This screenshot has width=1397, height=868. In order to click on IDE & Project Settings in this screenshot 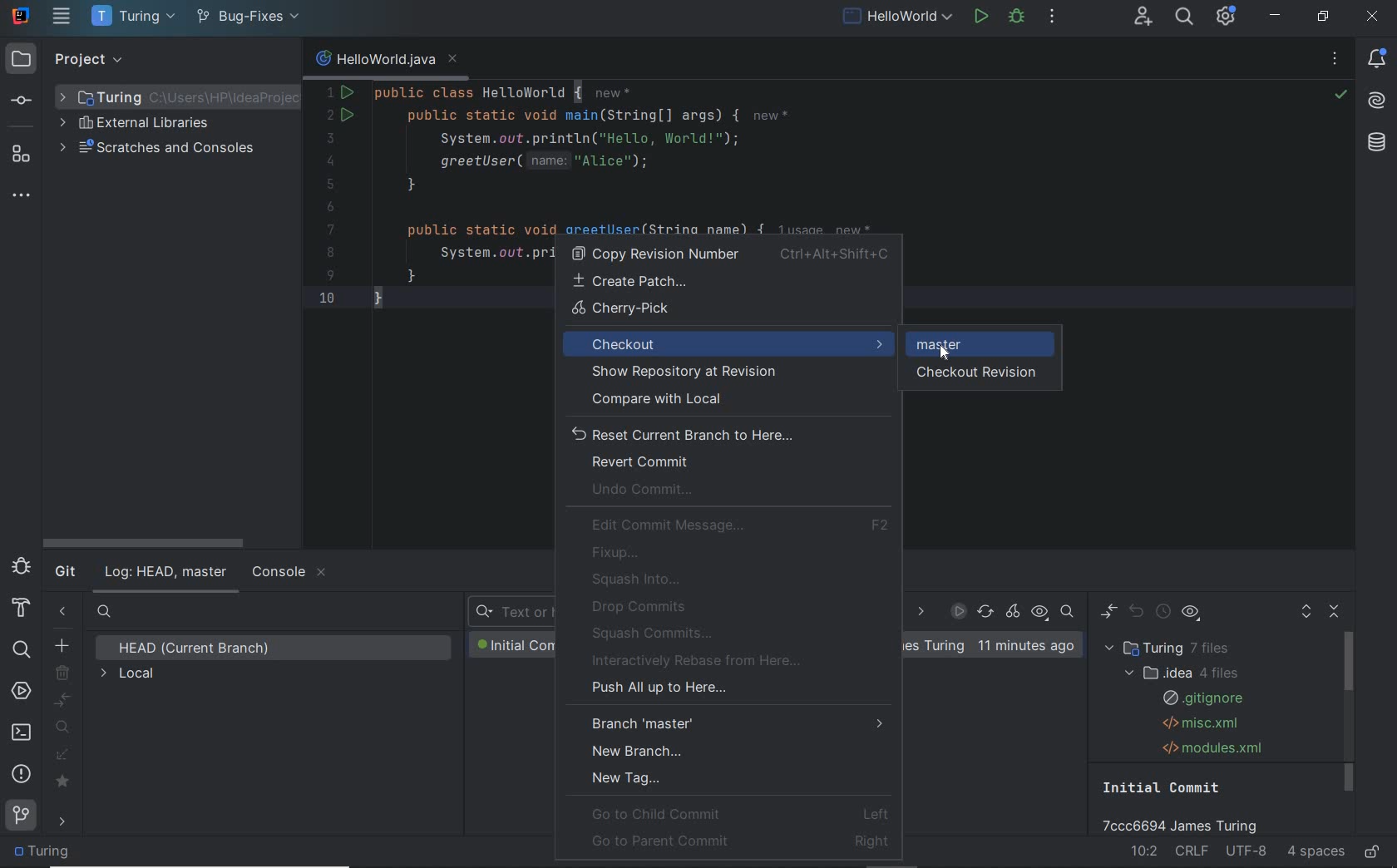, I will do `click(1227, 17)`.